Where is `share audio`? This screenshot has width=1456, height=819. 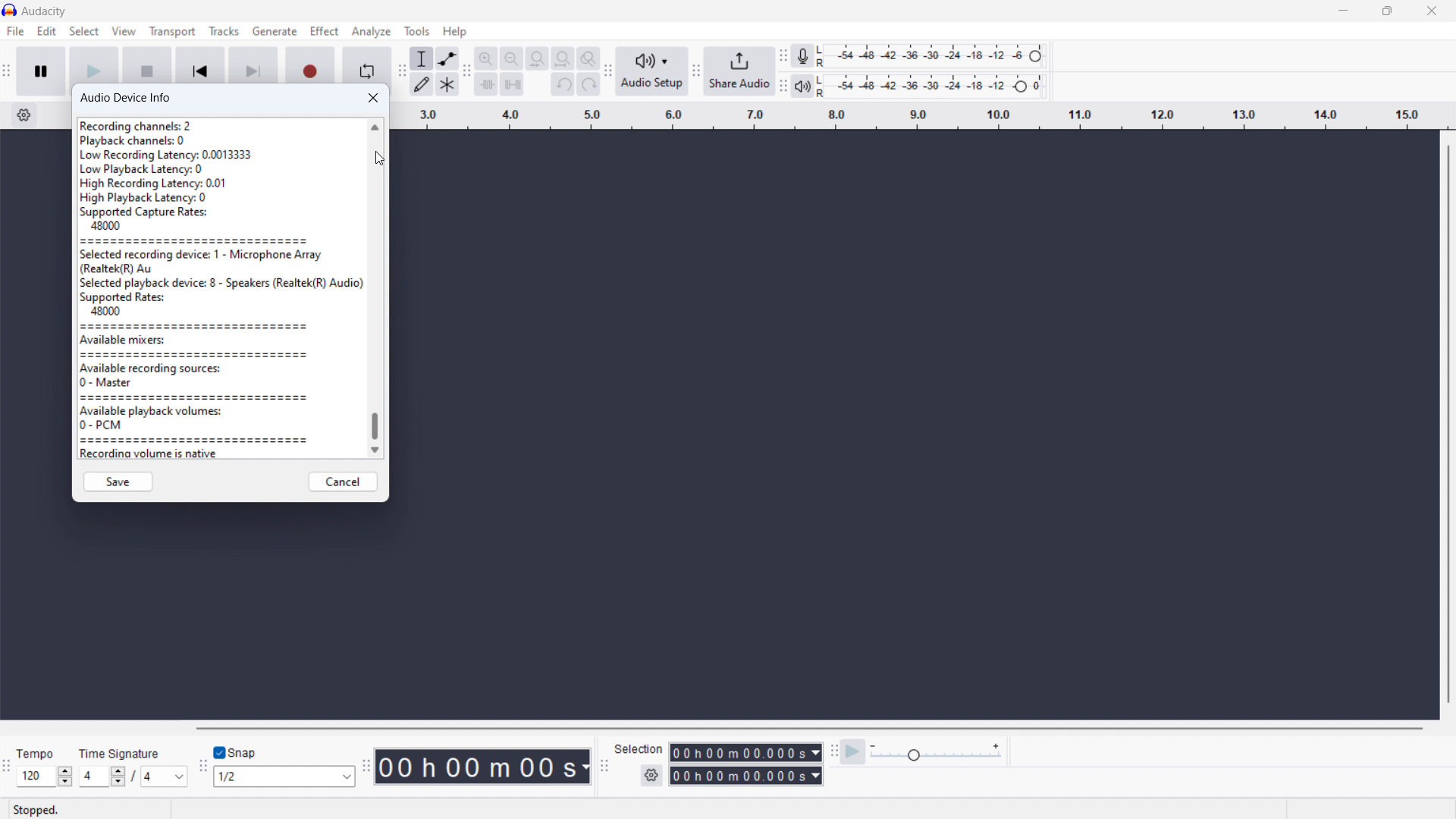 share audio is located at coordinates (739, 72).